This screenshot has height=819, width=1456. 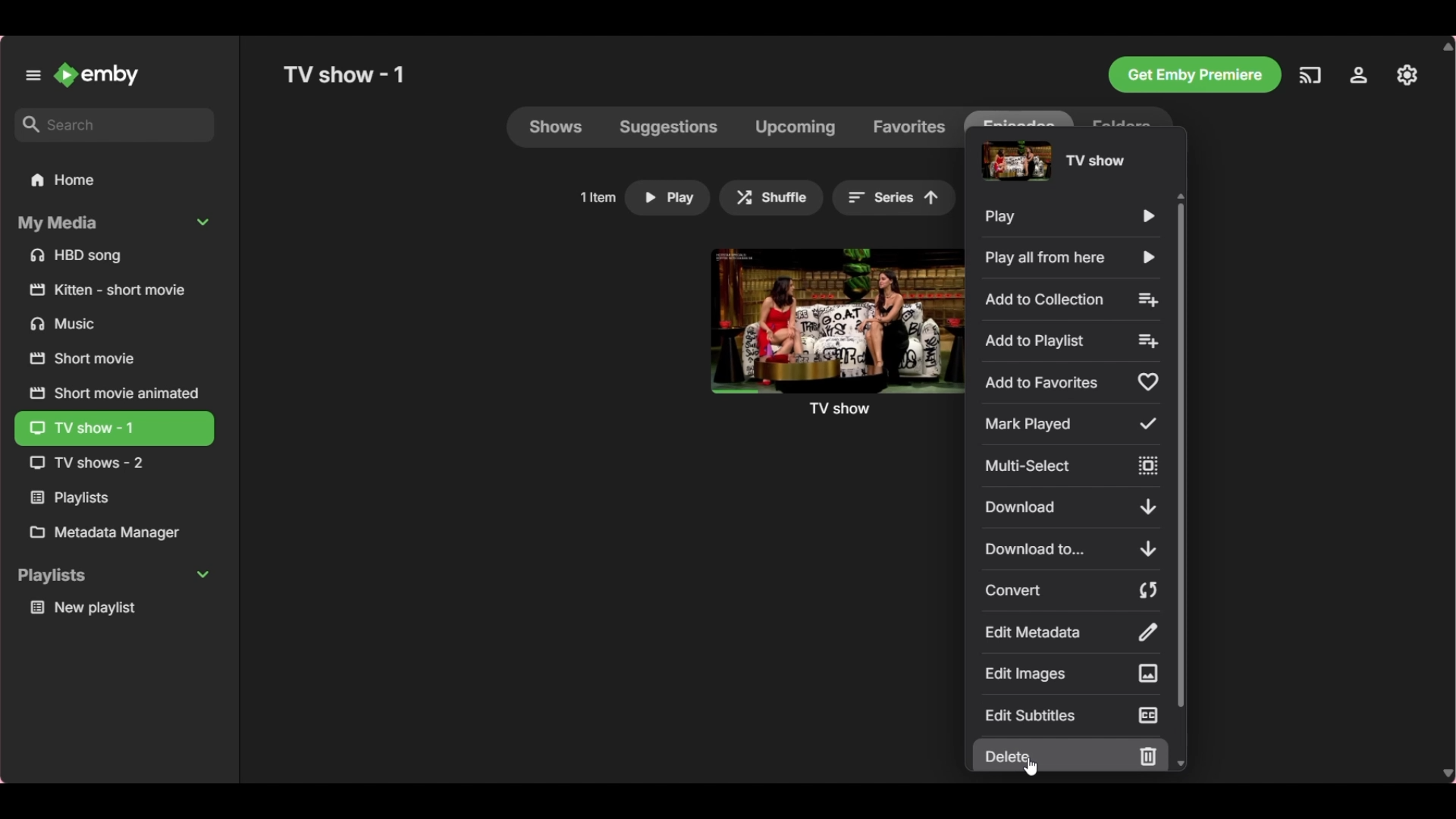 What do you see at coordinates (98, 74) in the screenshot?
I see `Go to home` at bounding box center [98, 74].